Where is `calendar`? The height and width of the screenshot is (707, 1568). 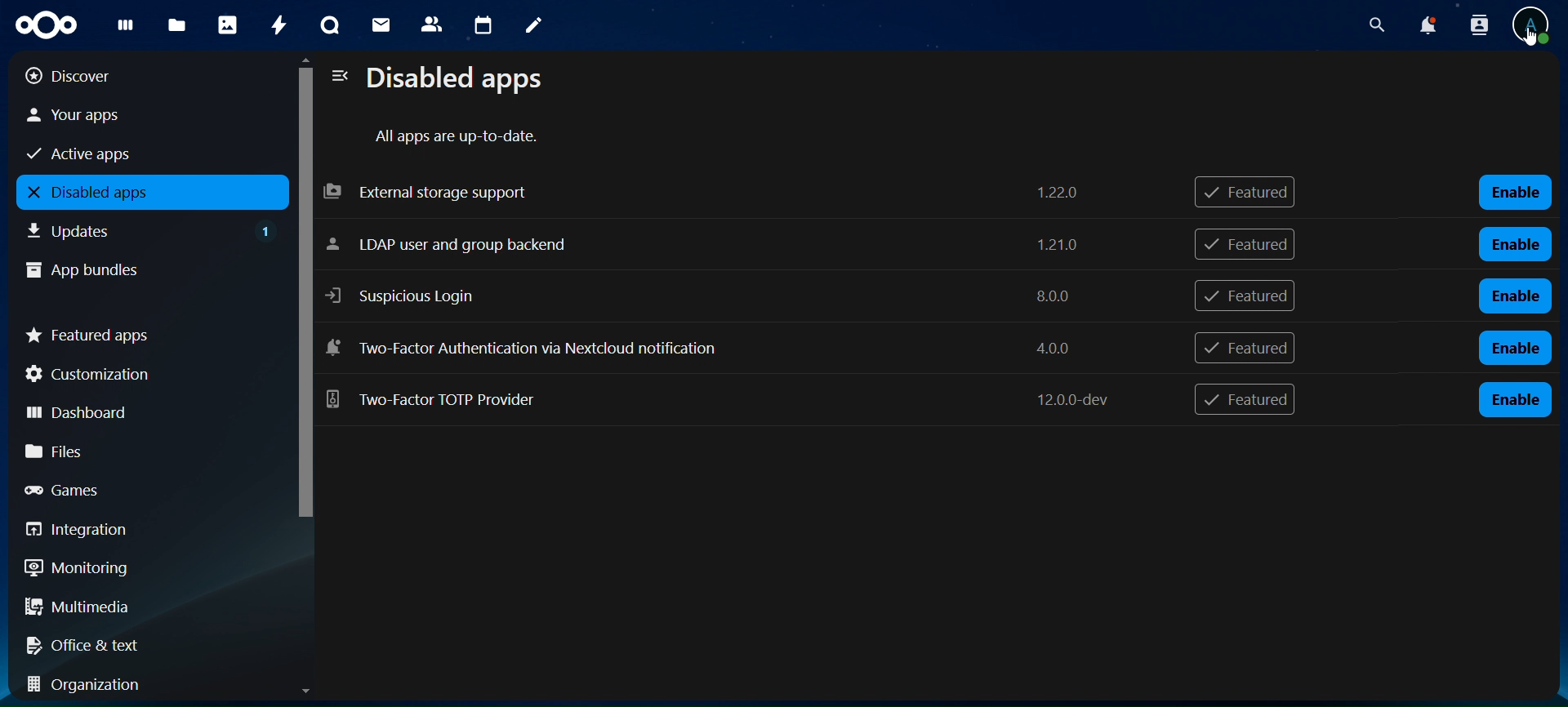 calendar is located at coordinates (484, 26).